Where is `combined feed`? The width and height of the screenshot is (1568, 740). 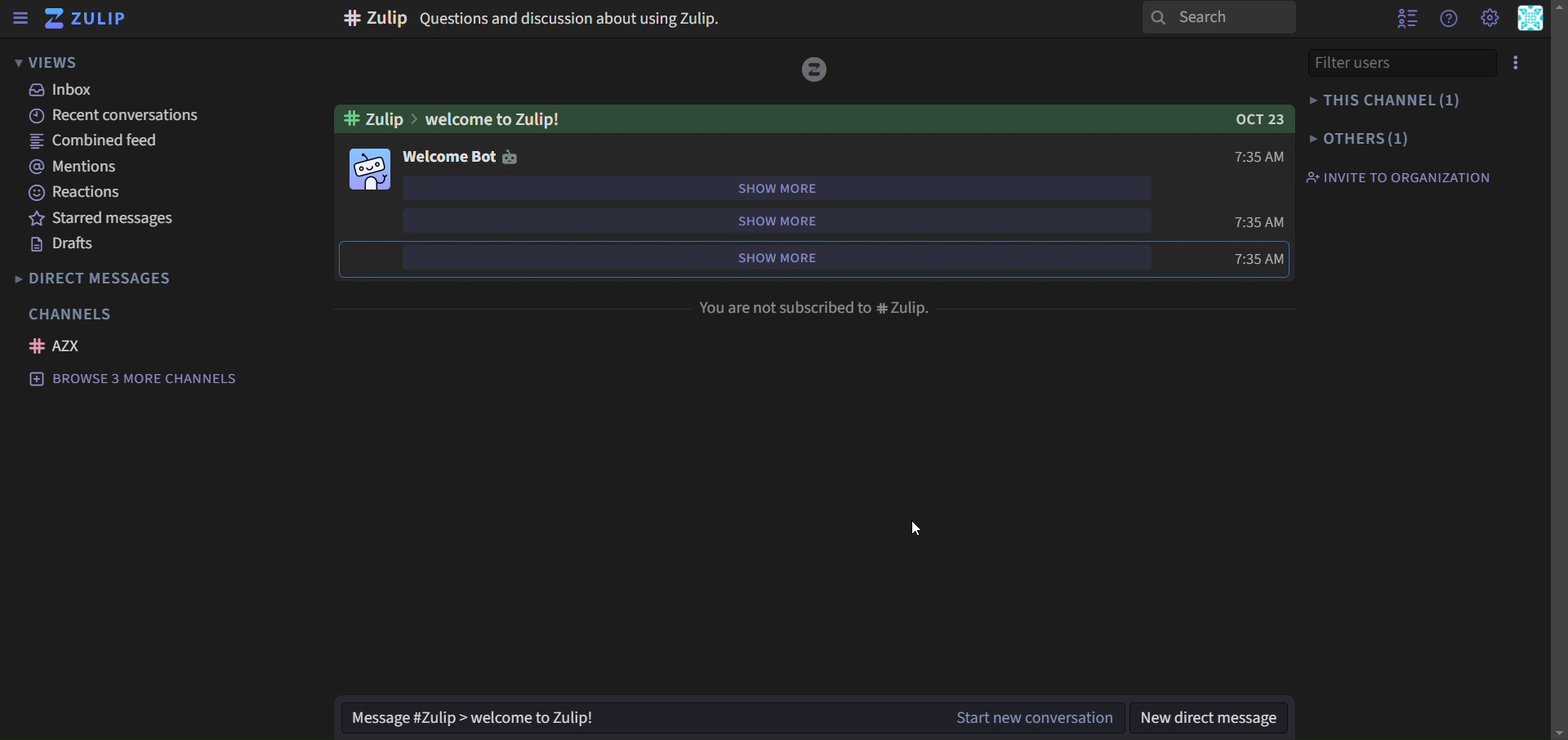
combined feed is located at coordinates (98, 143).